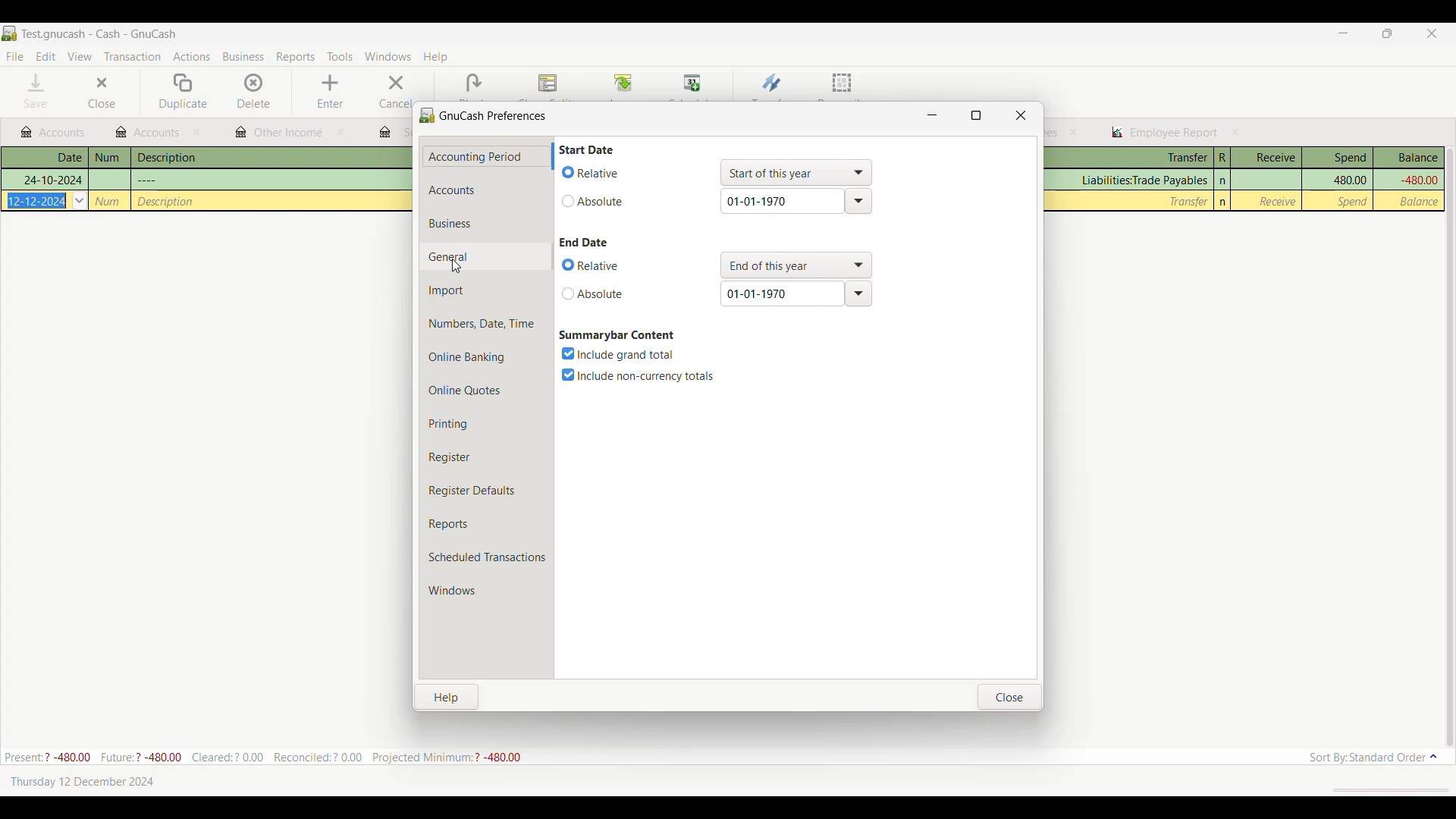  I want to click on Business menu, so click(243, 57).